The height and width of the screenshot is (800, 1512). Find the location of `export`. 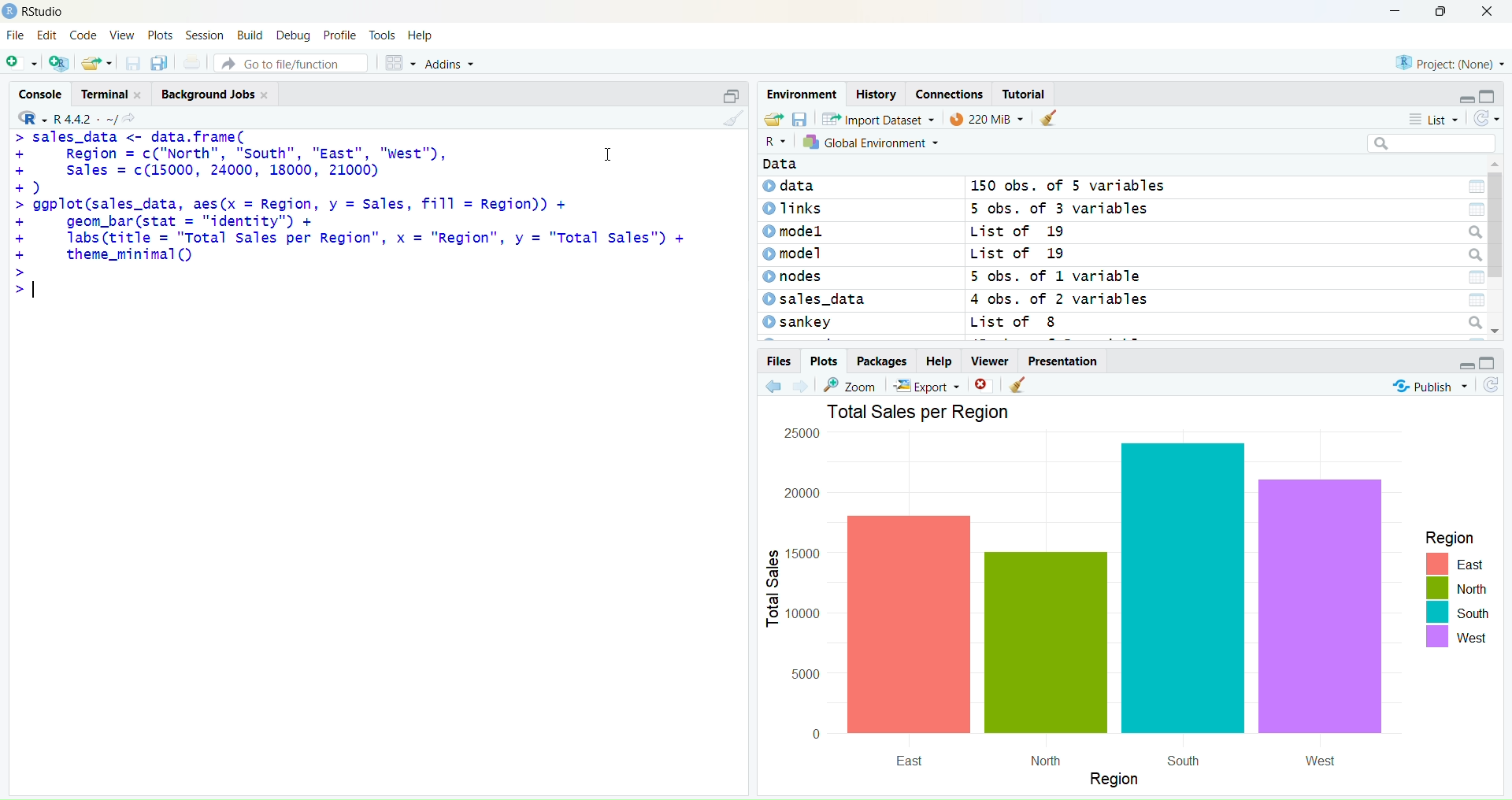

export is located at coordinates (930, 387).